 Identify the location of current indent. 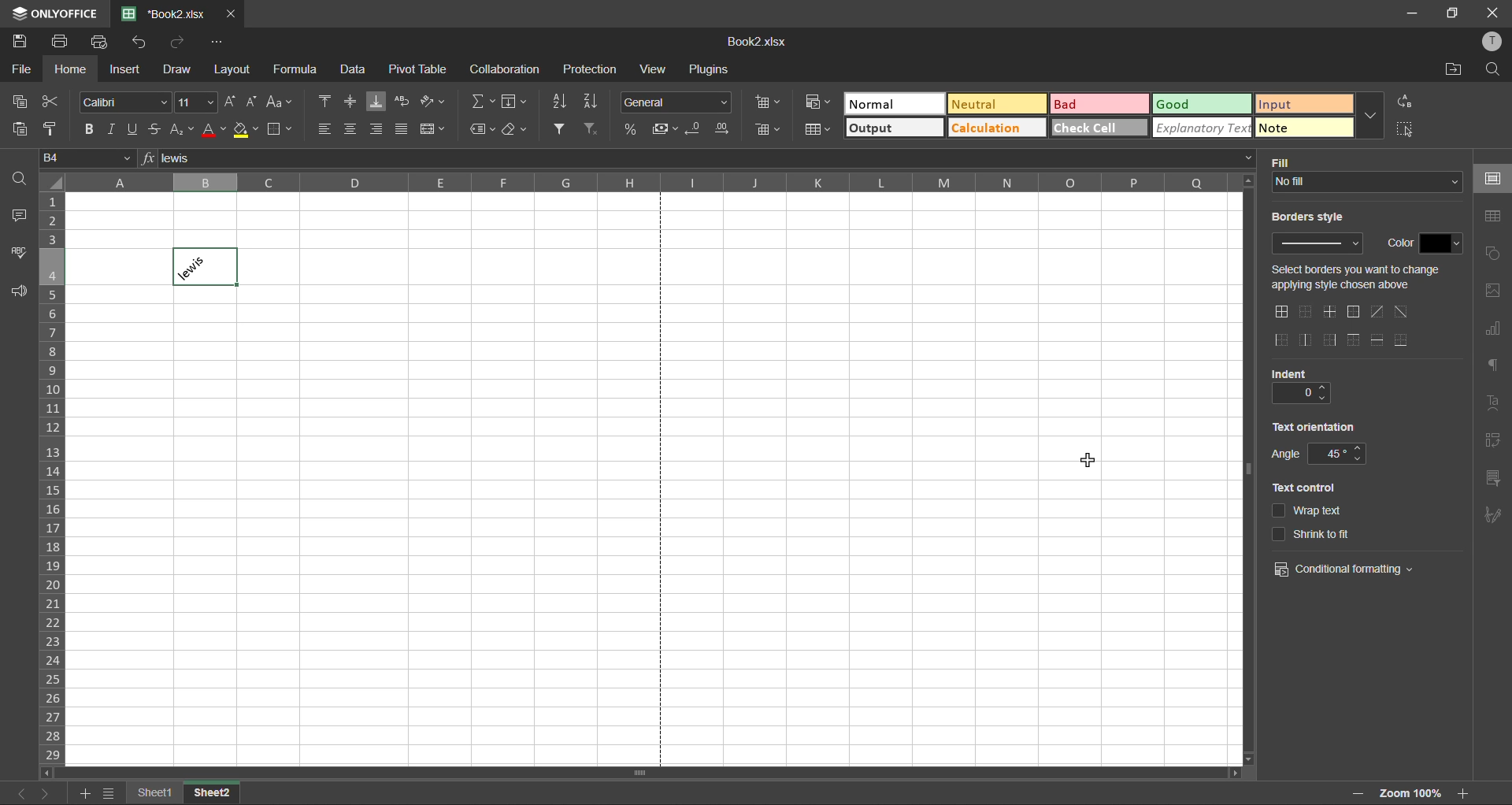
(1293, 394).